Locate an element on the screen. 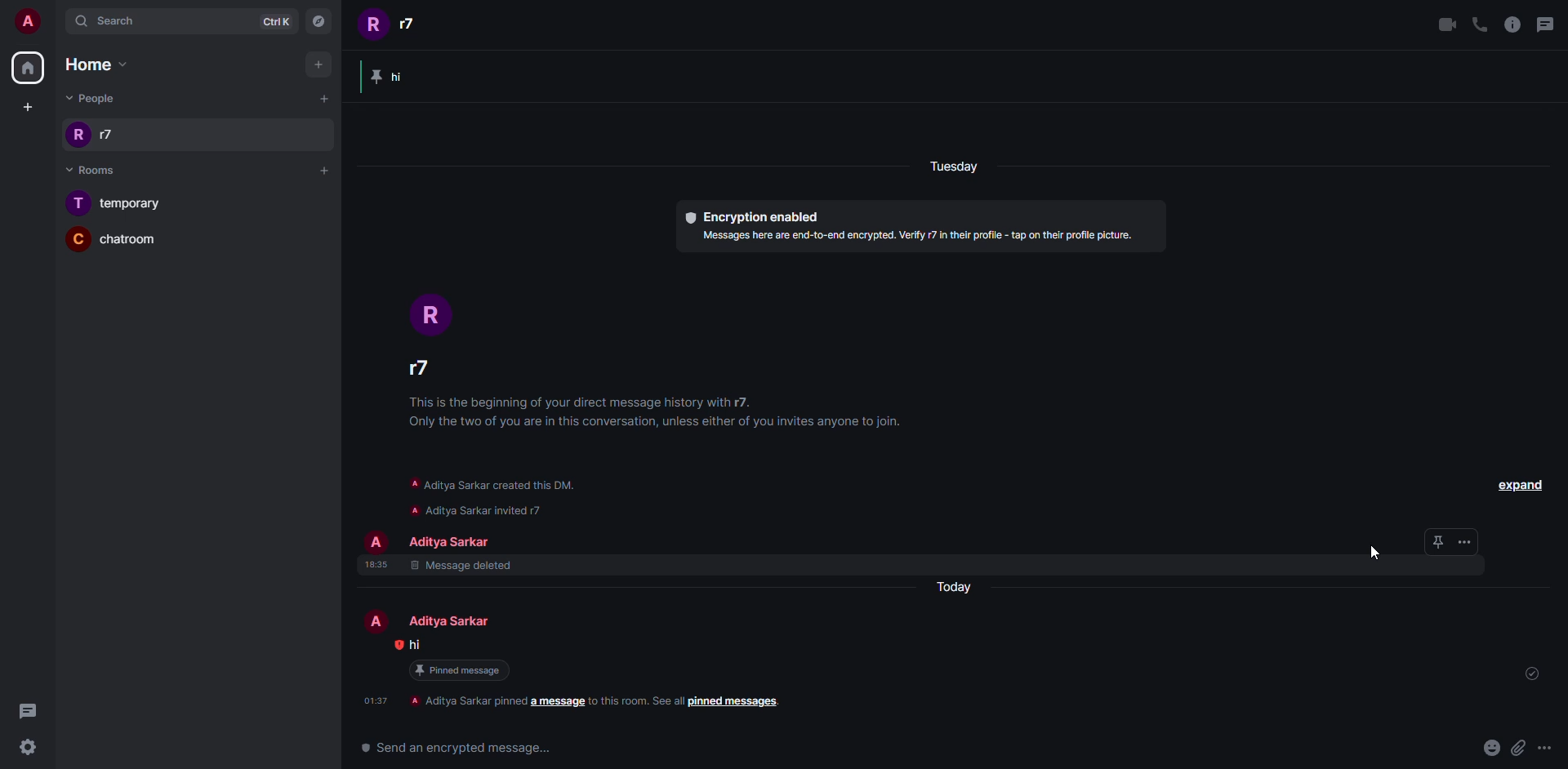  threads is located at coordinates (1543, 24).